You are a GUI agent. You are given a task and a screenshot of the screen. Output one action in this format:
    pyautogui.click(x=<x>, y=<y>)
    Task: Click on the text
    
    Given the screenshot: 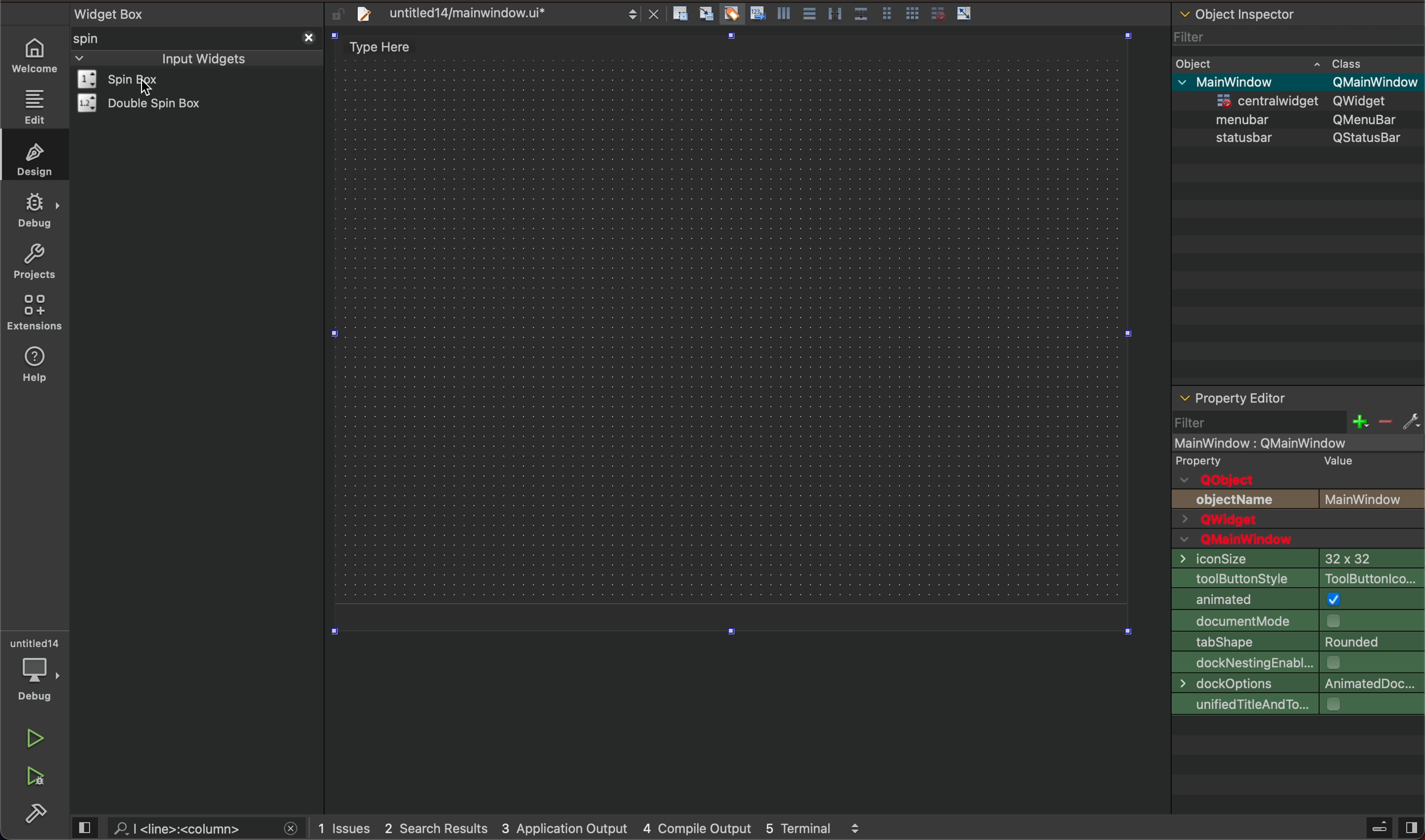 What is the action you would take?
    pyautogui.click(x=1334, y=460)
    